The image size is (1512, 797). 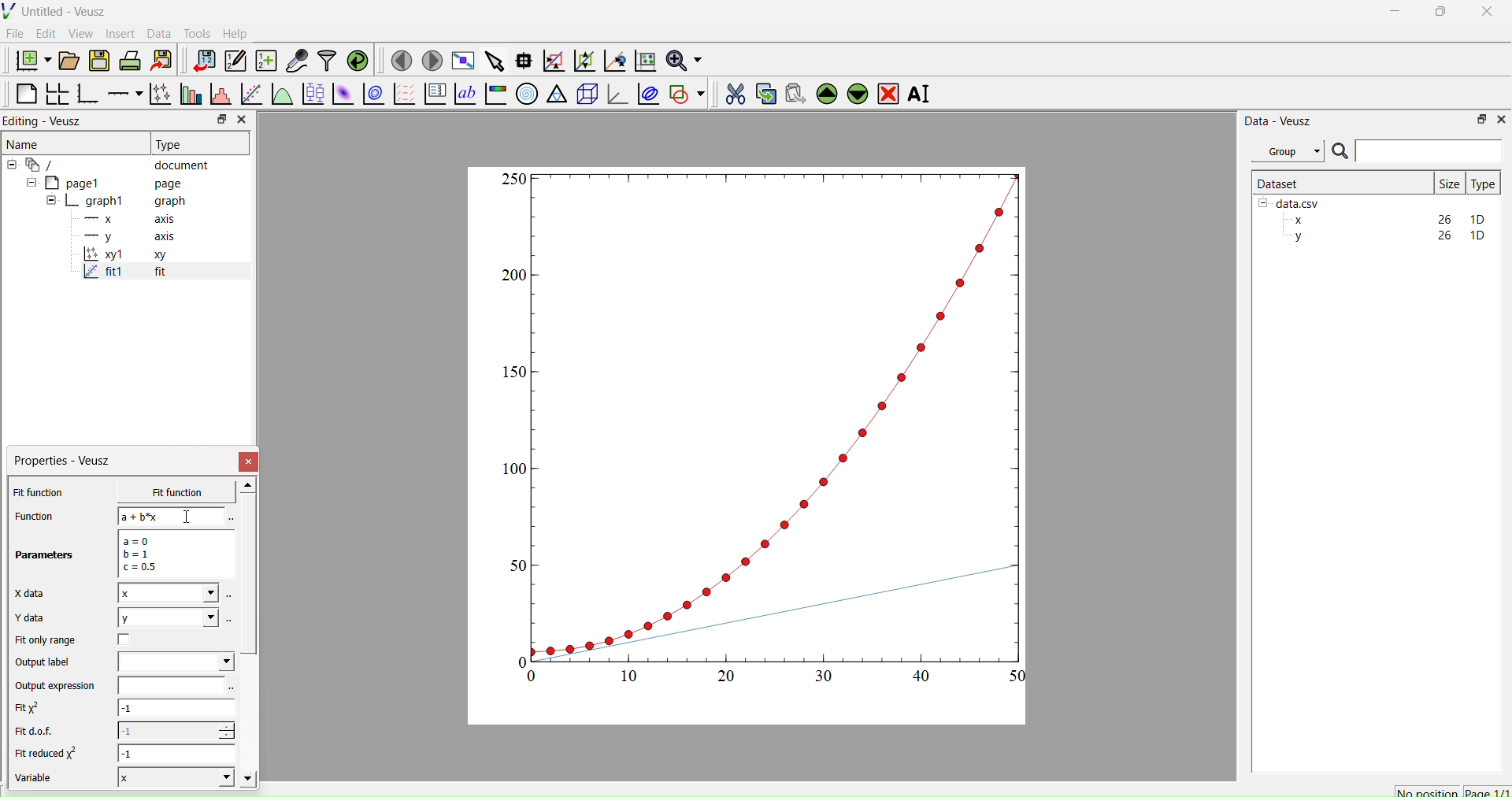 I want to click on Type, so click(x=1483, y=183).